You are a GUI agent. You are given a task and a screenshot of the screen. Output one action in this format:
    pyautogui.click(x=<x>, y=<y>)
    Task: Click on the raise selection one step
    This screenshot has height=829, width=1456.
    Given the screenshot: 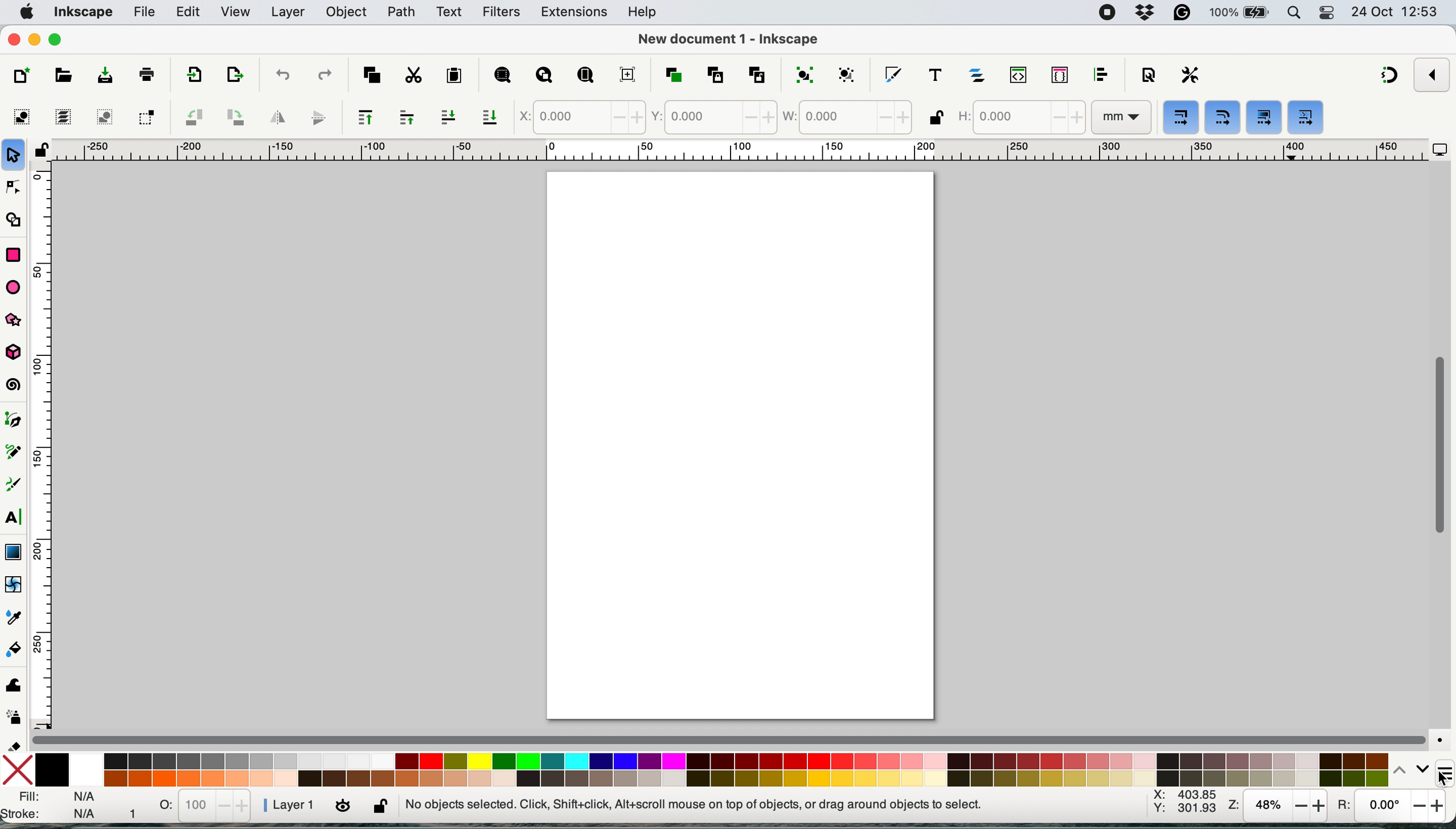 What is the action you would take?
    pyautogui.click(x=408, y=118)
    